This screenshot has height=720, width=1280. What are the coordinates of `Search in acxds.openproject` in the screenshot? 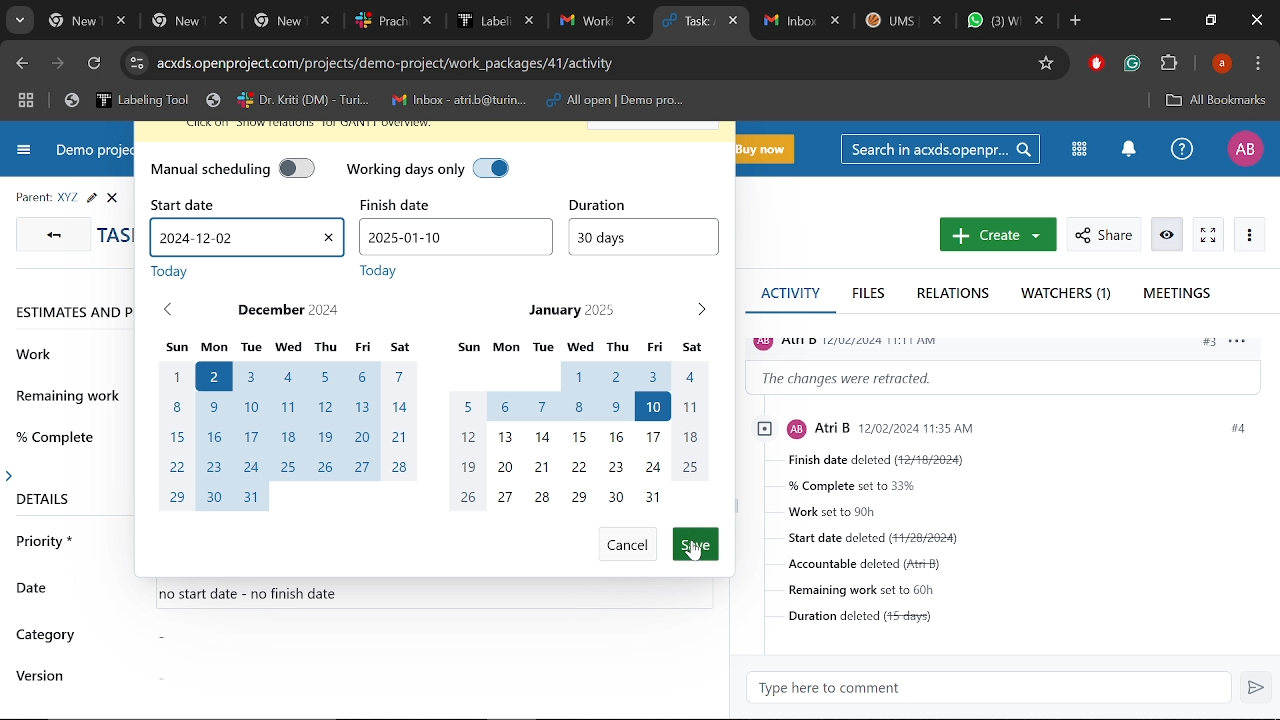 It's located at (940, 149).